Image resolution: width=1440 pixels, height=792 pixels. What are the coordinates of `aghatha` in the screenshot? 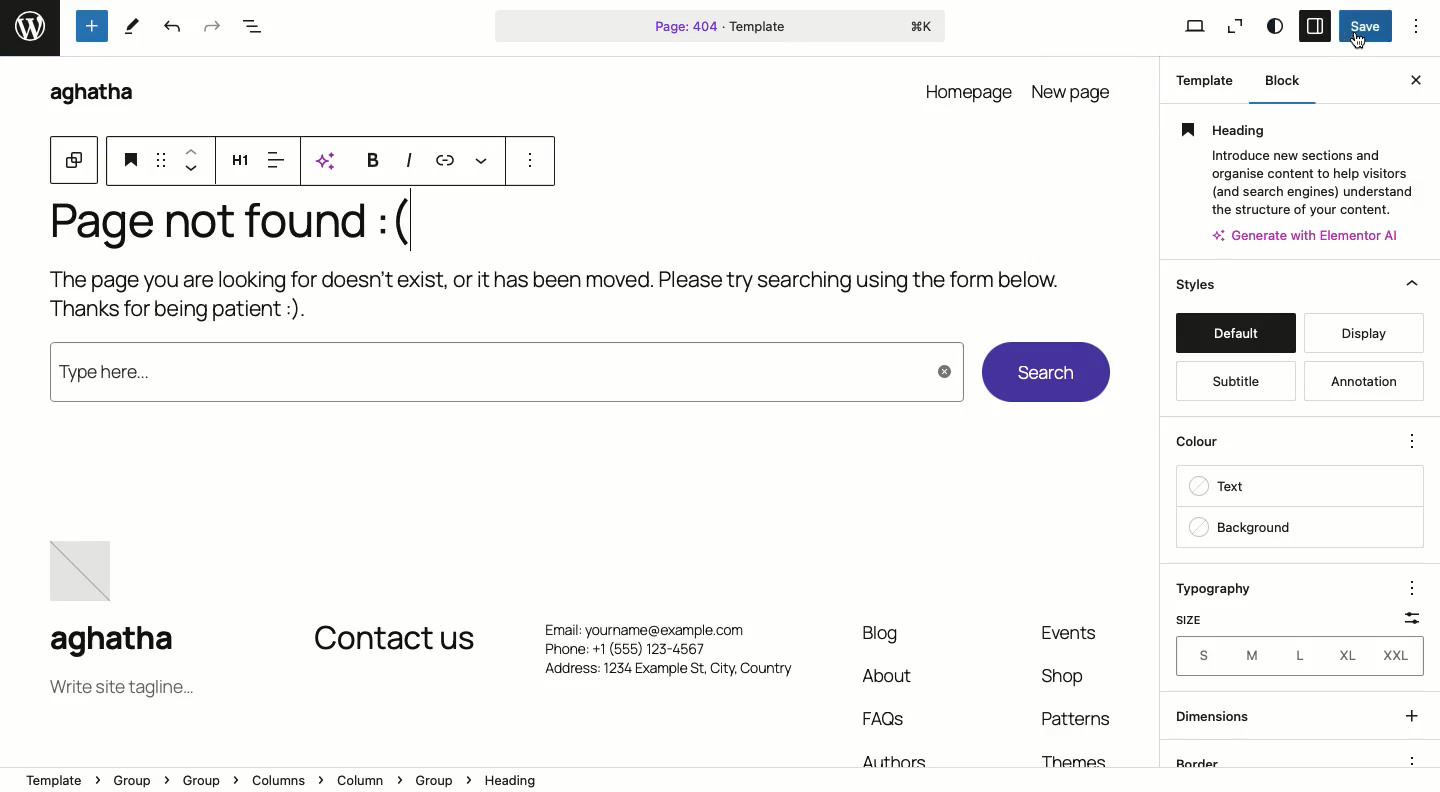 It's located at (90, 93).